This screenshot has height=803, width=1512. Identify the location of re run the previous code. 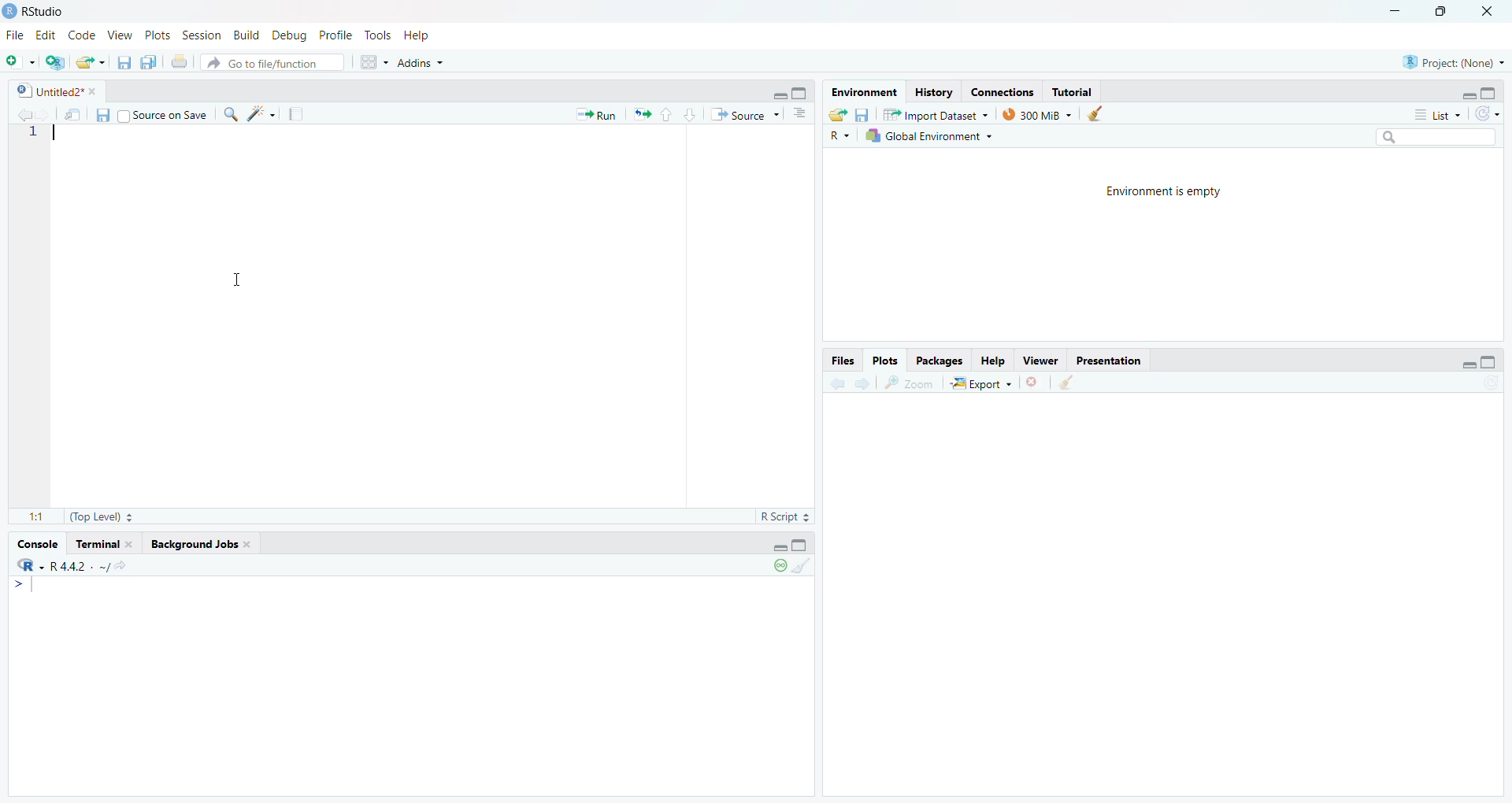
(642, 113).